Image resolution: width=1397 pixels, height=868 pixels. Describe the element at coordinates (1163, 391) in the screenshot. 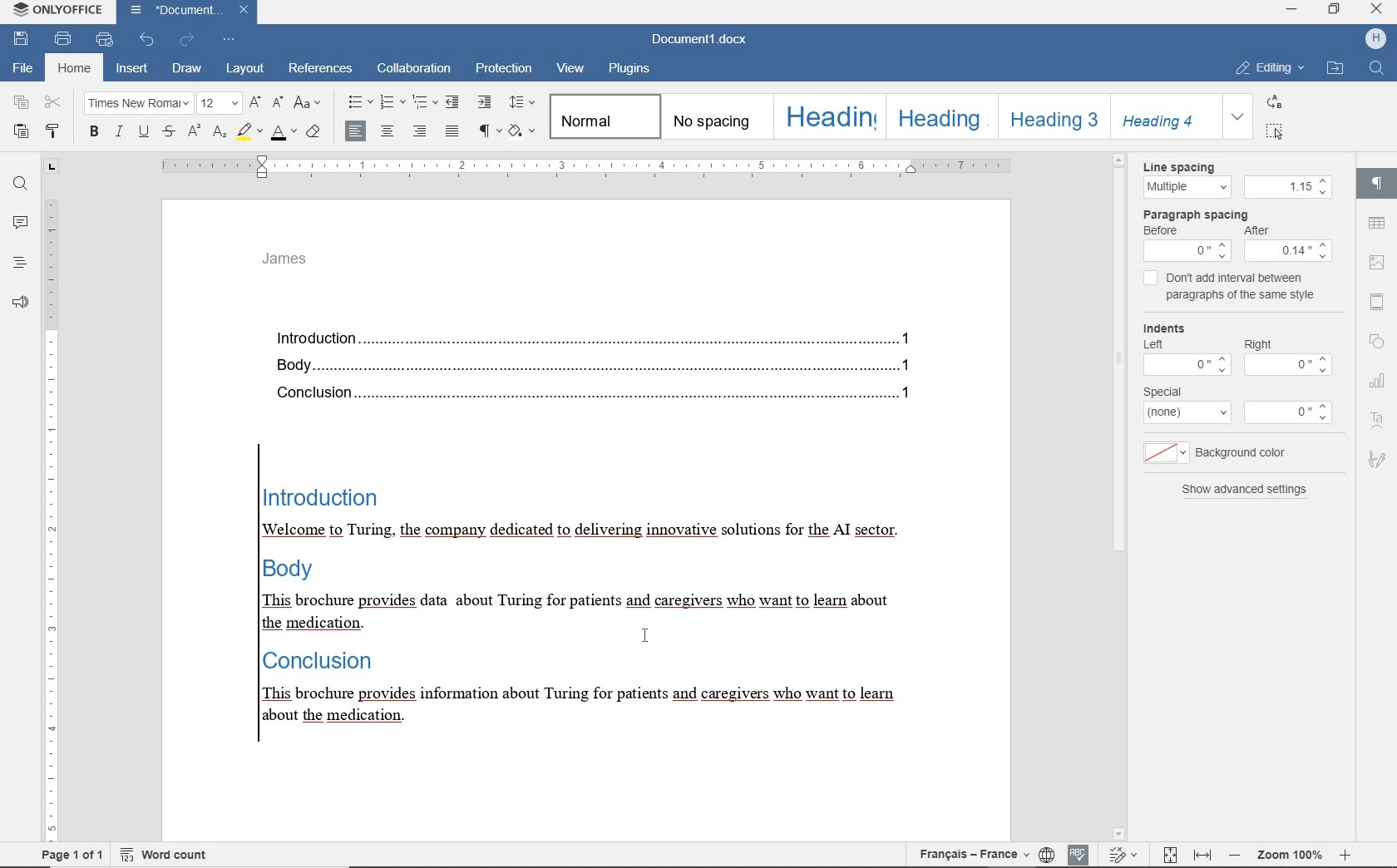

I see `special` at that location.